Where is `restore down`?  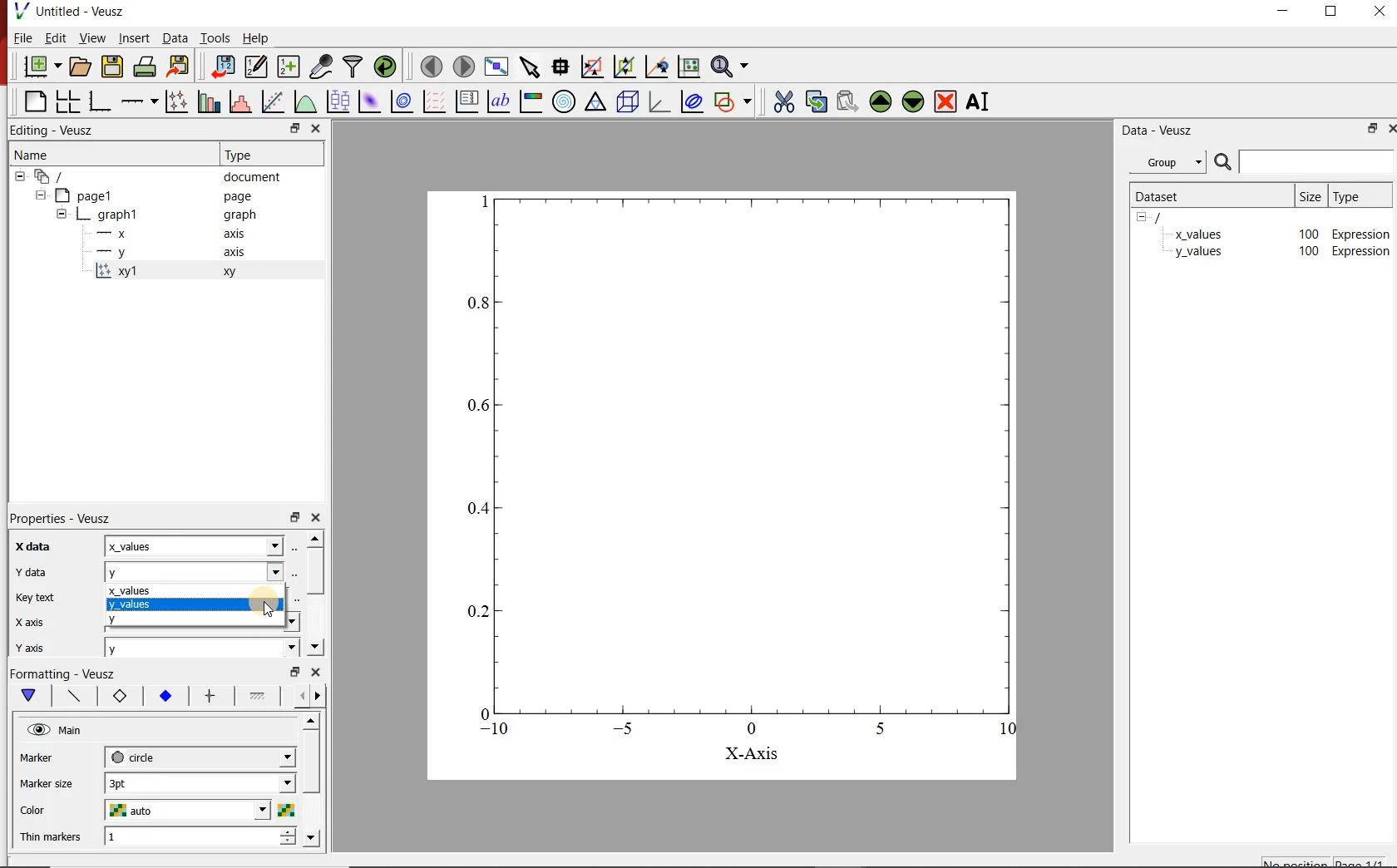
restore down is located at coordinates (295, 517).